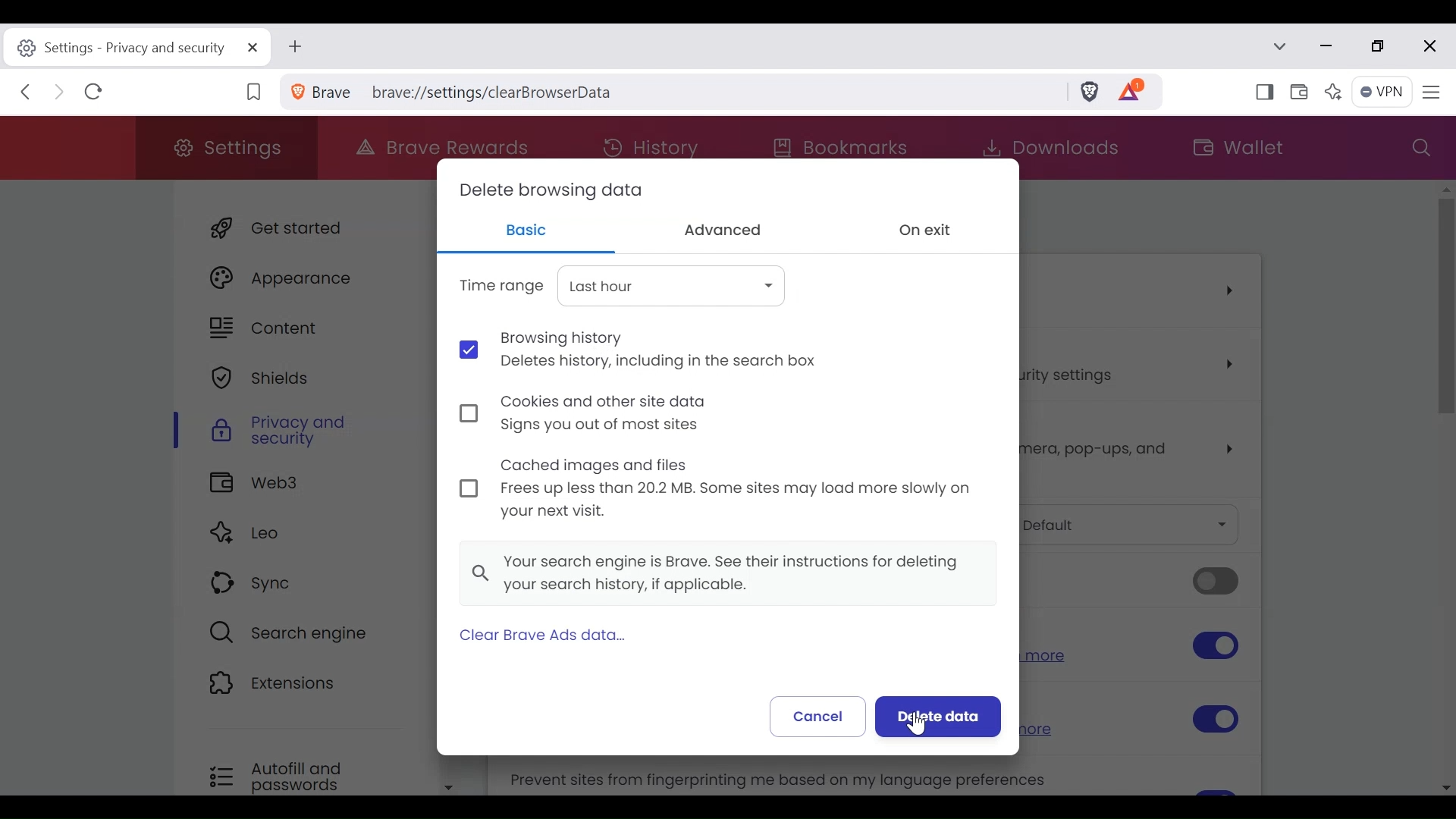  What do you see at coordinates (1301, 93) in the screenshot?
I see `Wallet` at bounding box center [1301, 93].